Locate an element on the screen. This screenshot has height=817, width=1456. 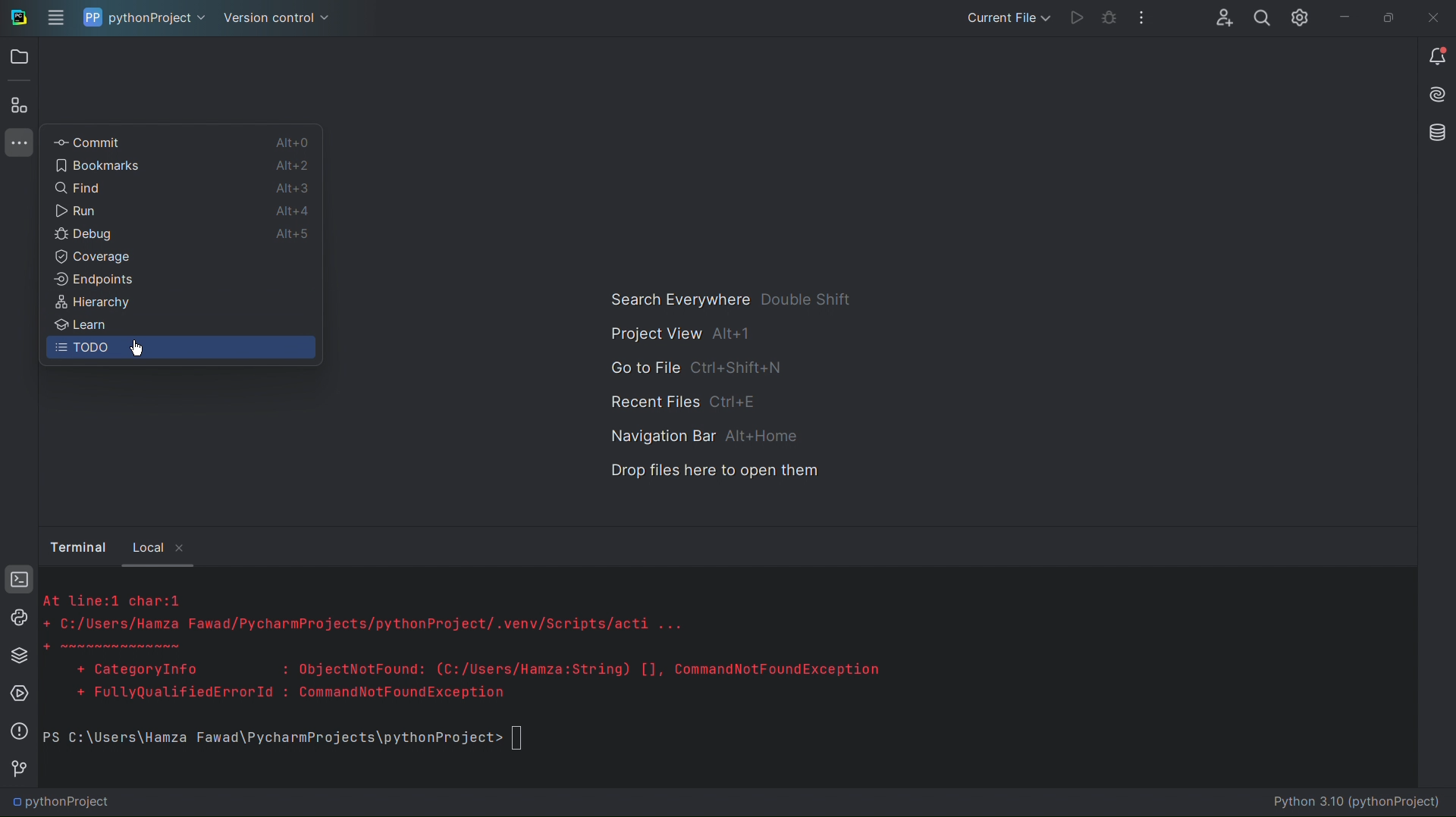
Navigation Bar is located at coordinates (699, 436).